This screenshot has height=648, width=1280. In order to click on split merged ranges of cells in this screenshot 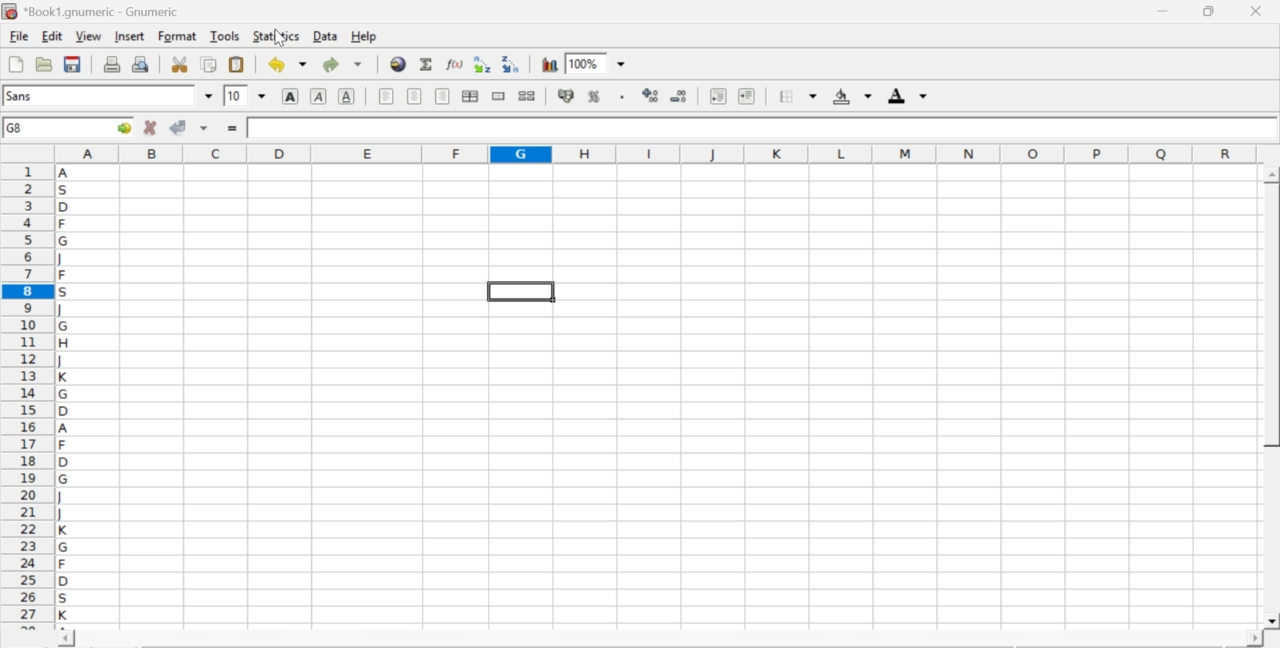, I will do `click(526, 95)`.